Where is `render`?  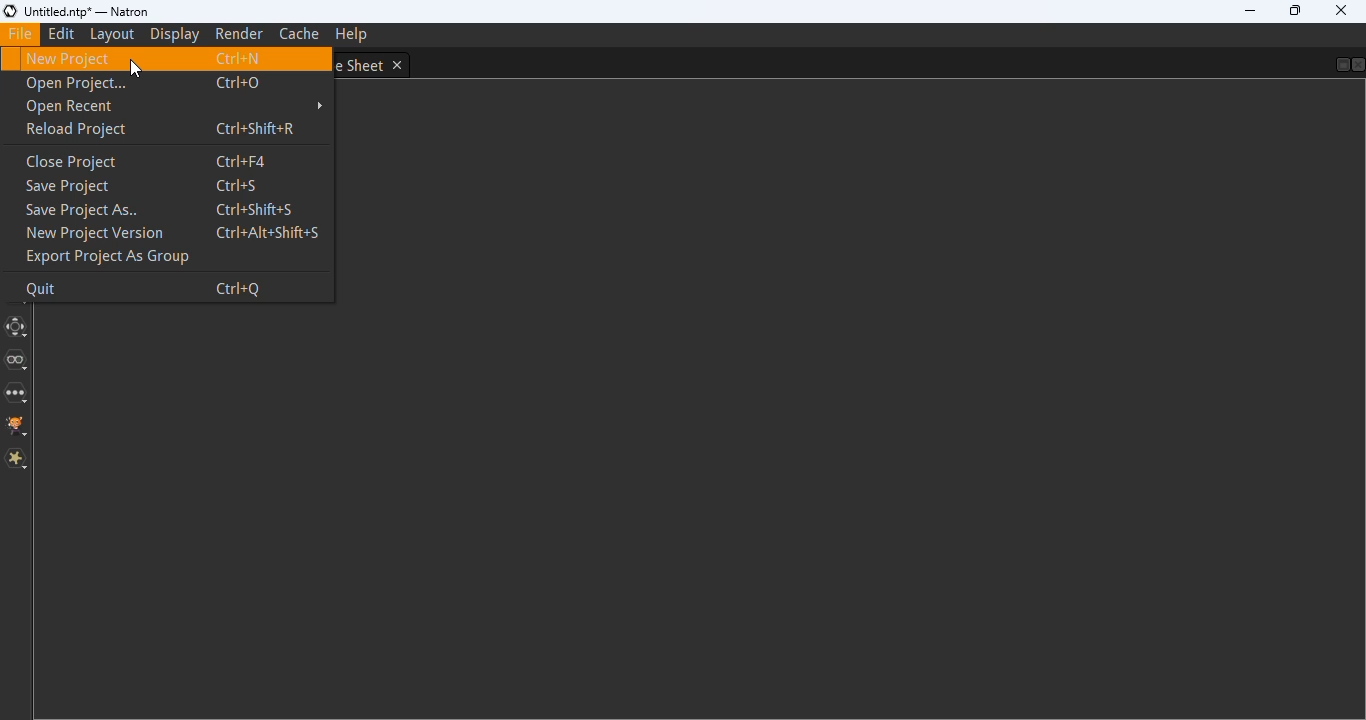
render is located at coordinates (239, 34).